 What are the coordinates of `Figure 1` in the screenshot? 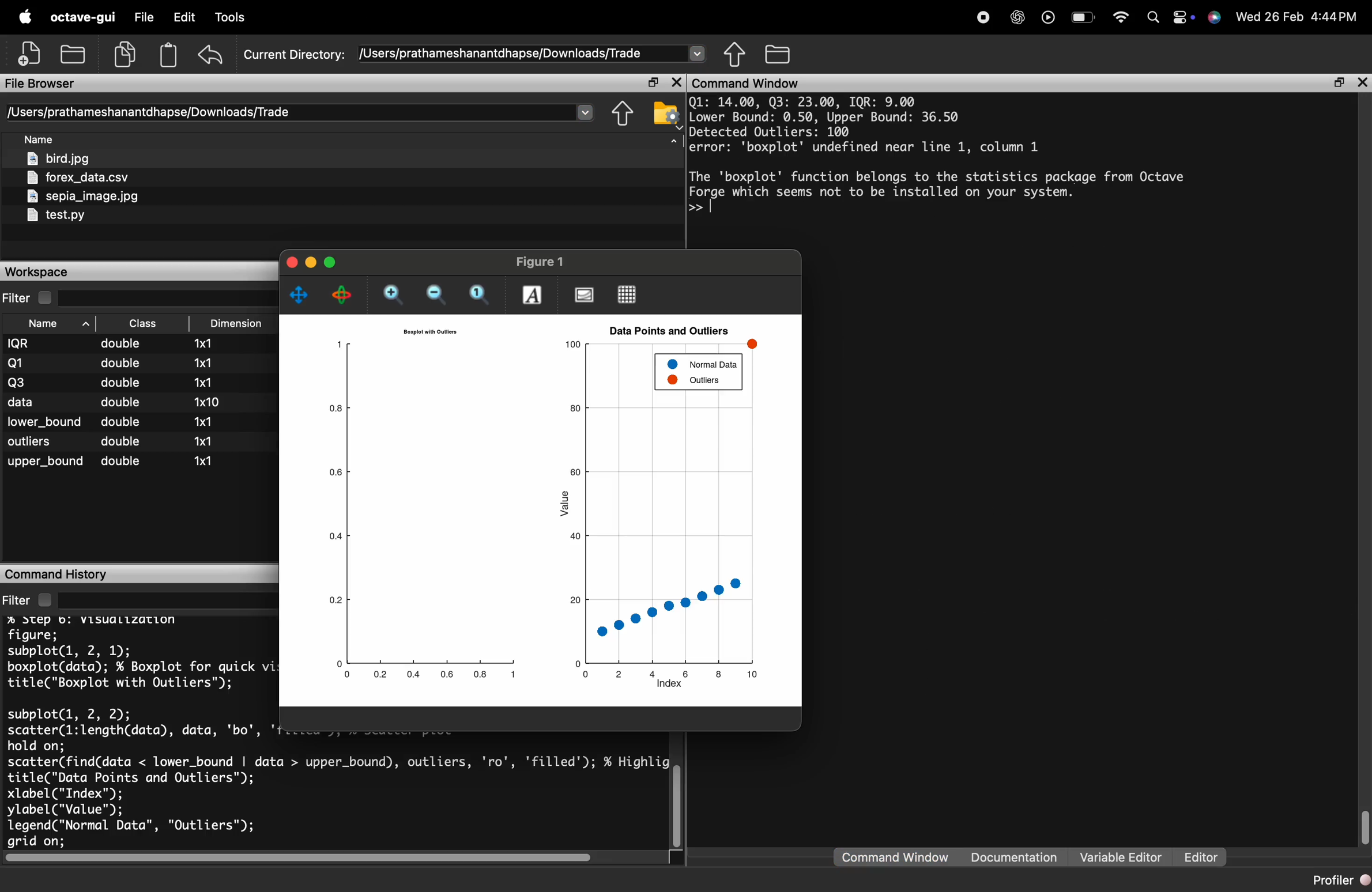 It's located at (539, 261).